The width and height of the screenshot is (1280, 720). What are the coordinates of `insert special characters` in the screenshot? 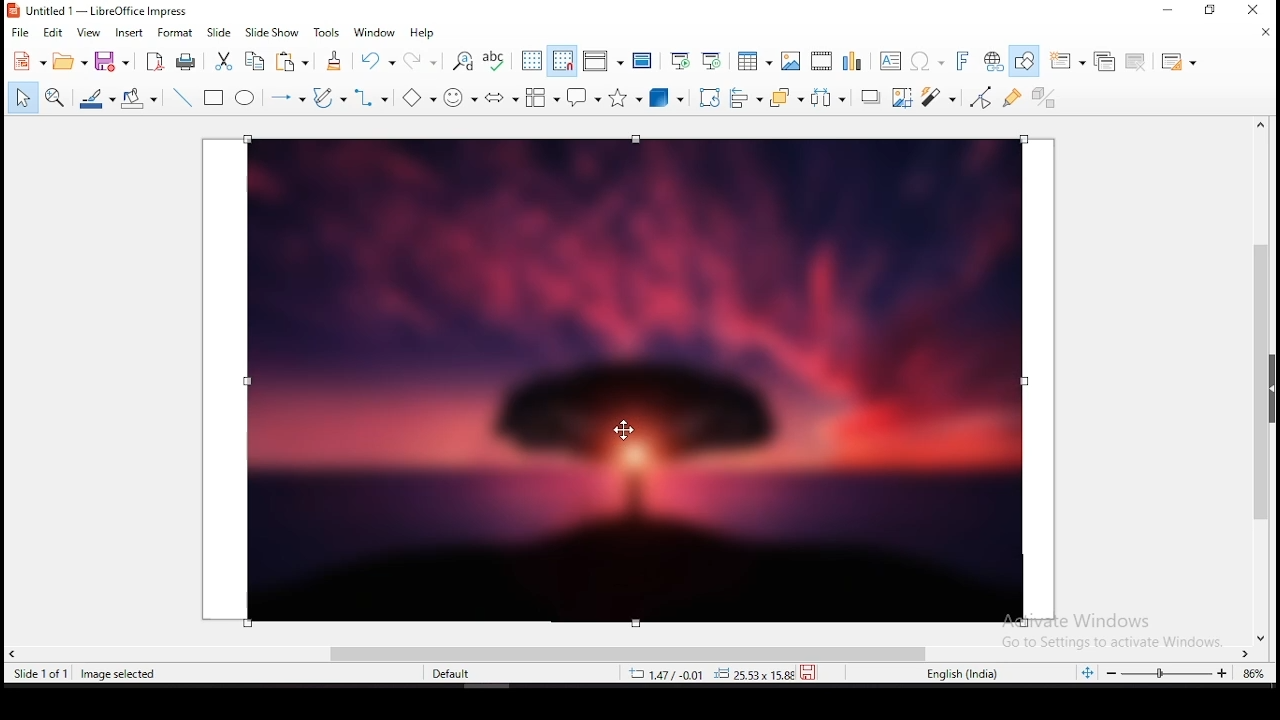 It's located at (925, 61).